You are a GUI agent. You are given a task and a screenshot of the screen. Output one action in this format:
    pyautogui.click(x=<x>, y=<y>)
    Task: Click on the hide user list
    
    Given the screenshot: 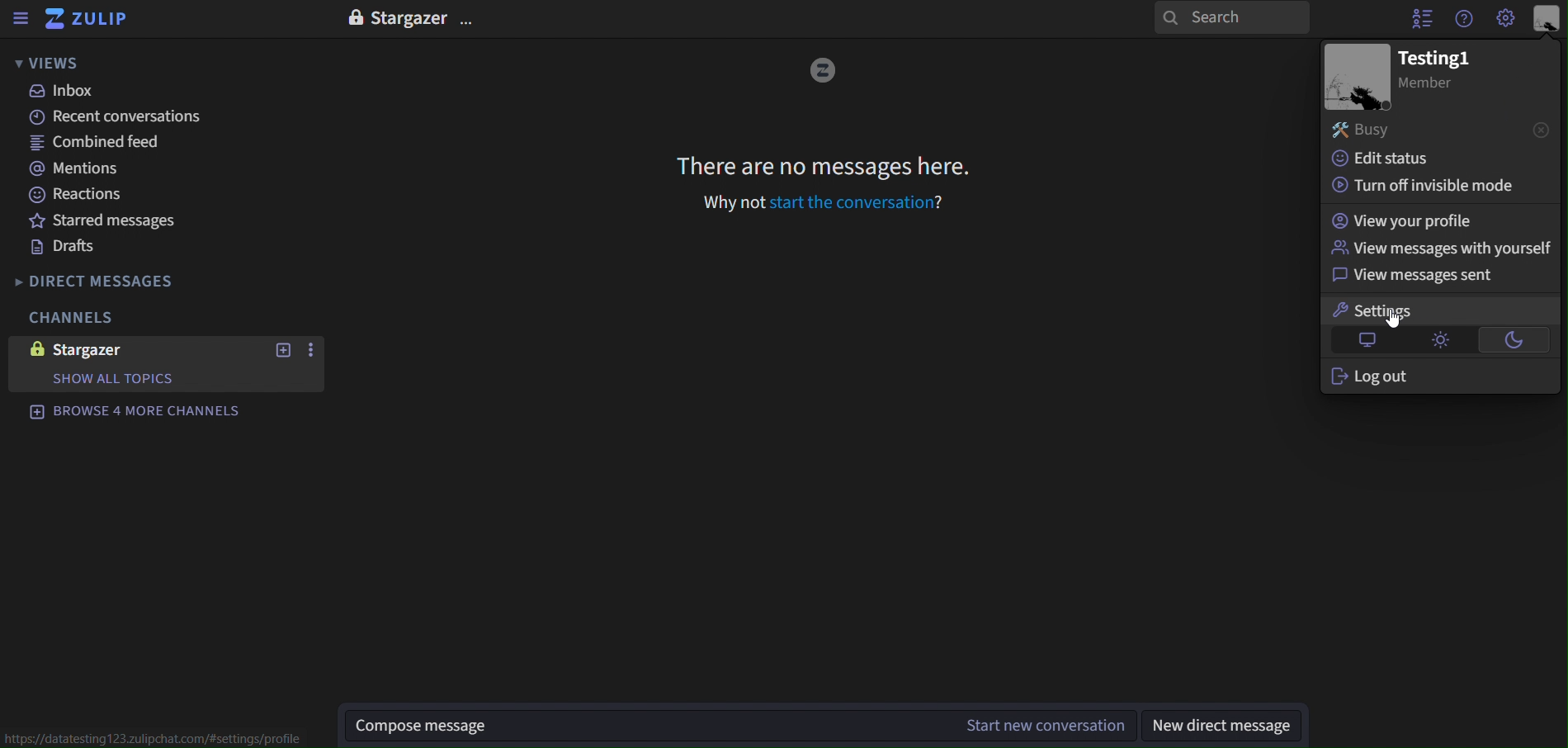 What is the action you would take?
    pyautogui.click(x=1415, y=19)
    